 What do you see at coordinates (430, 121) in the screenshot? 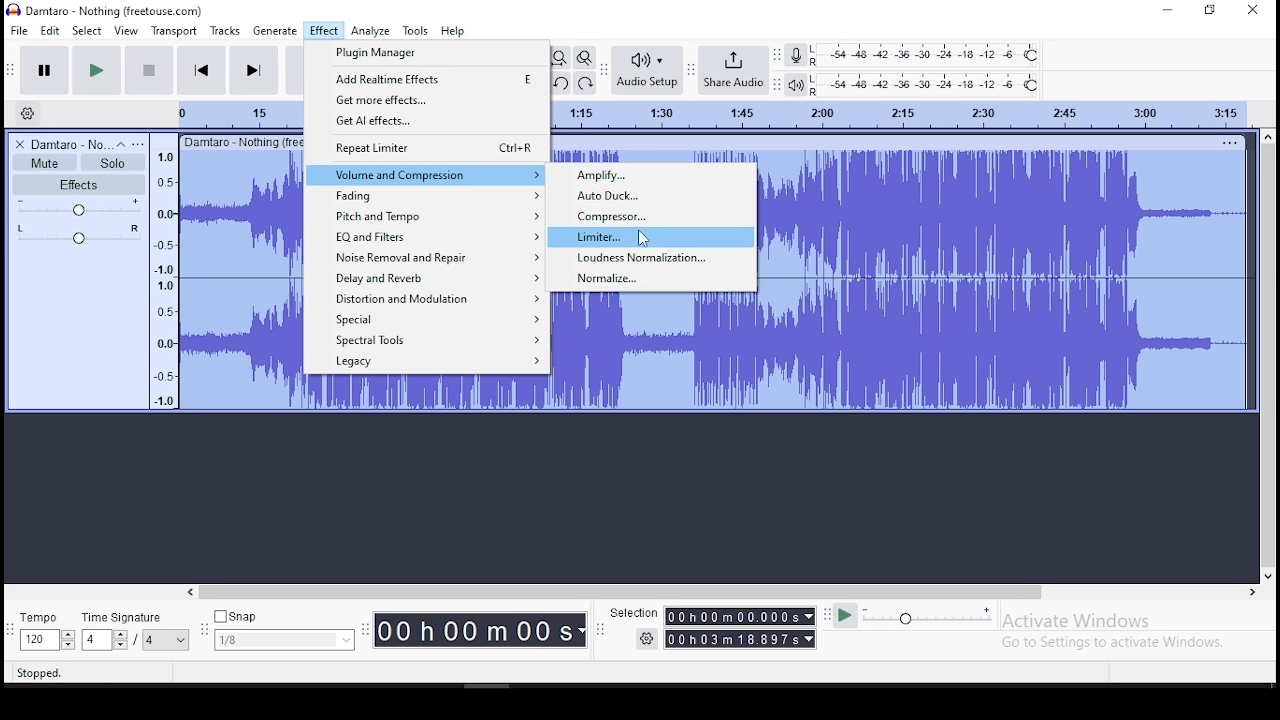
I see `get AI effects` at bounding box center [430, 121].